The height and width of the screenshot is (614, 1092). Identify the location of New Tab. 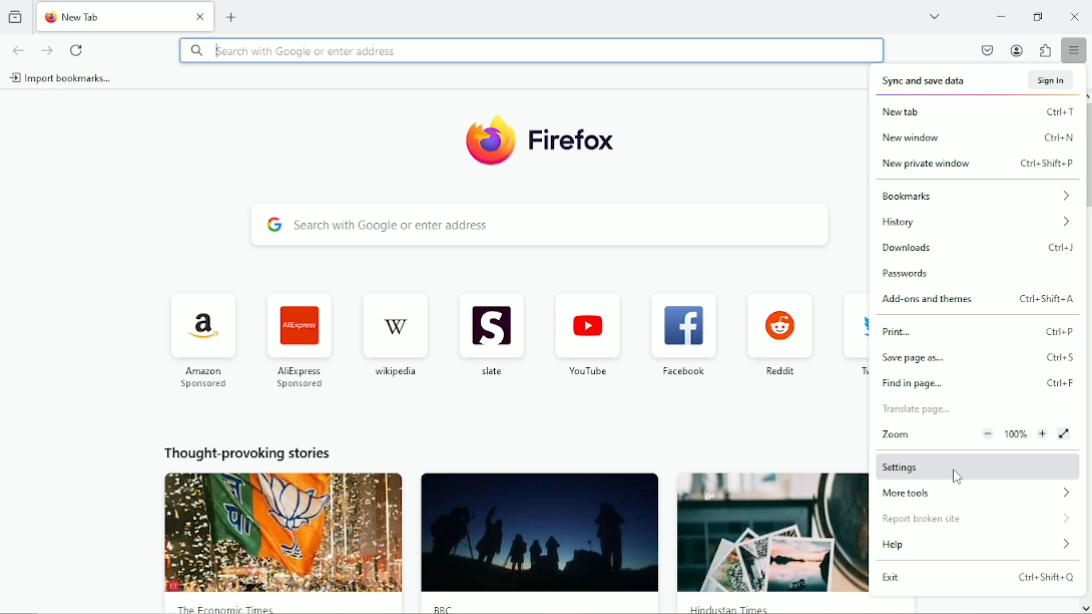
(111, 16).